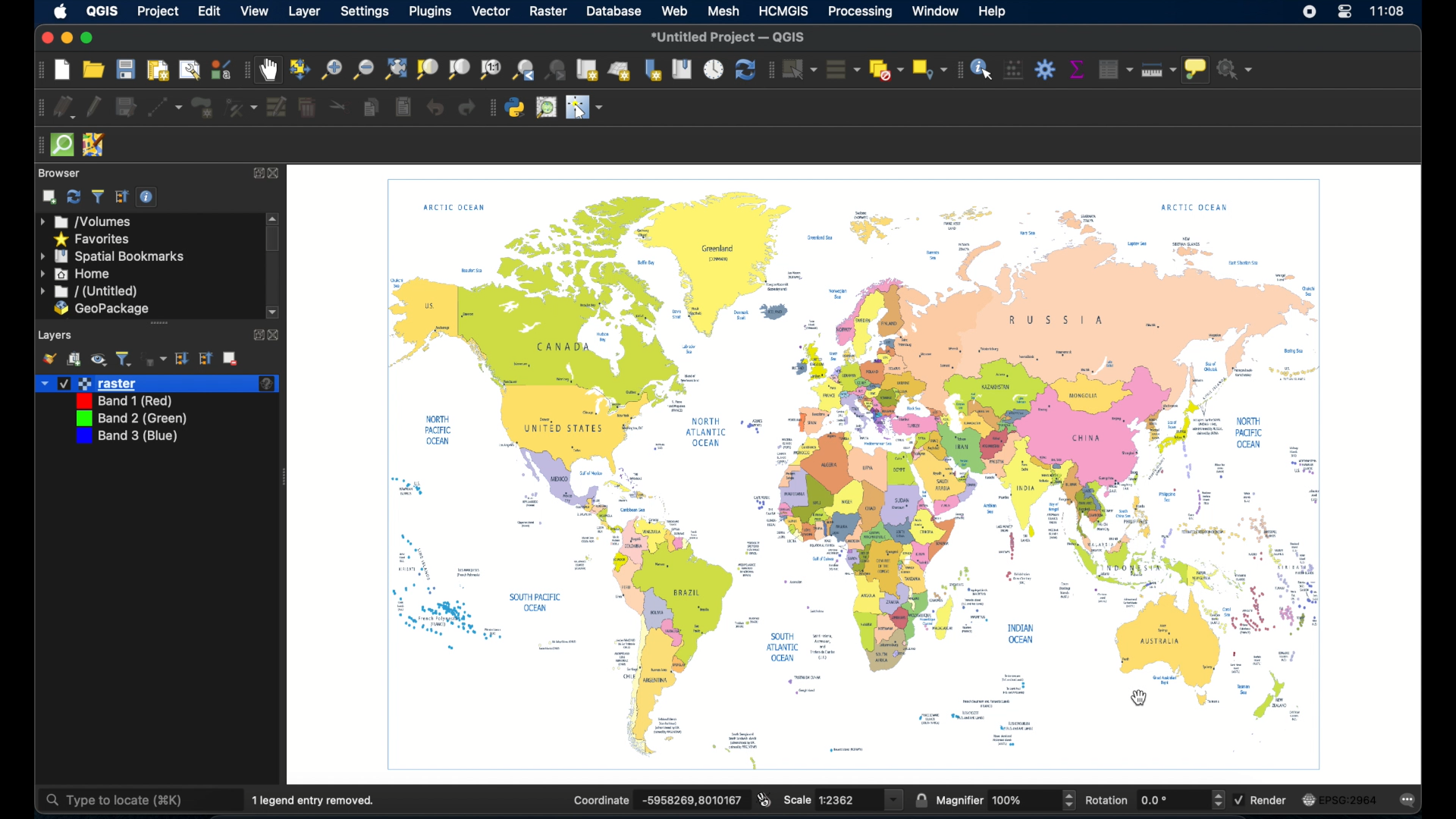 The height and width of the screenshot is (819, 1456). What do you see at coordinates (1238, 799) in the screenshot?
I see `checkbox` at bounding box center [1238, 799].